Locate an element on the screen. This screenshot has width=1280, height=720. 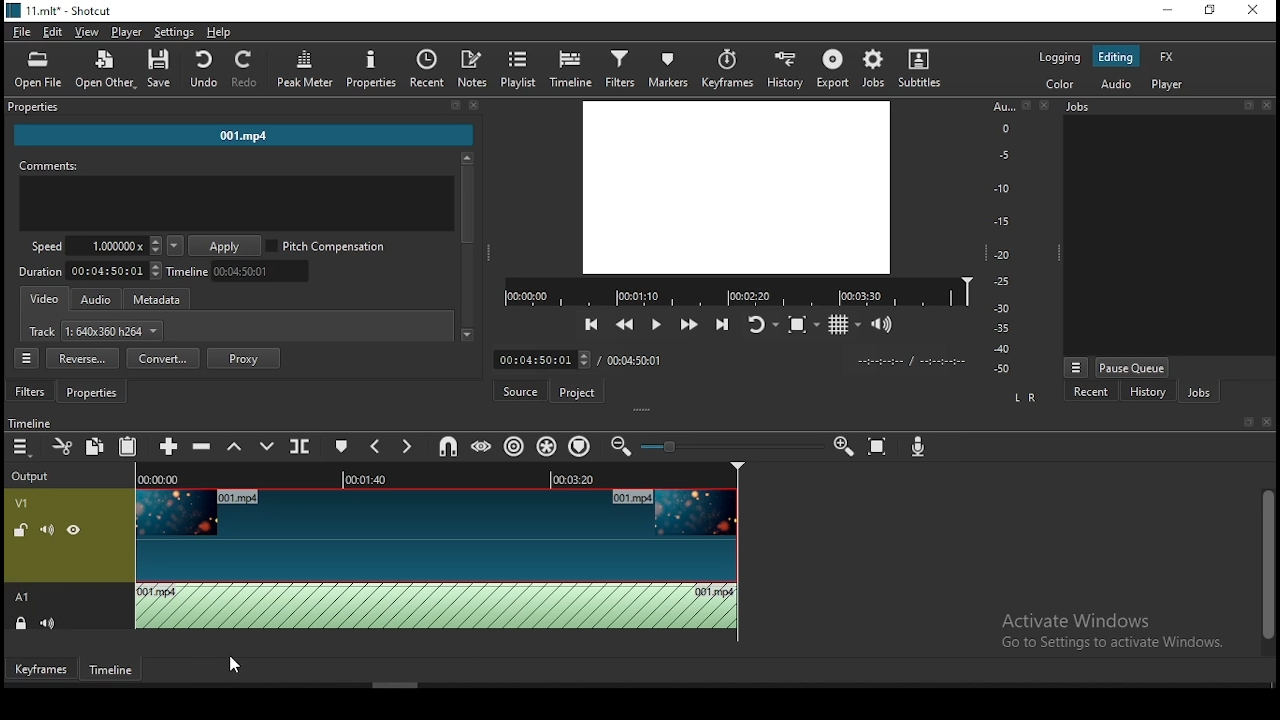
player is located at coordinates (1167, 84).